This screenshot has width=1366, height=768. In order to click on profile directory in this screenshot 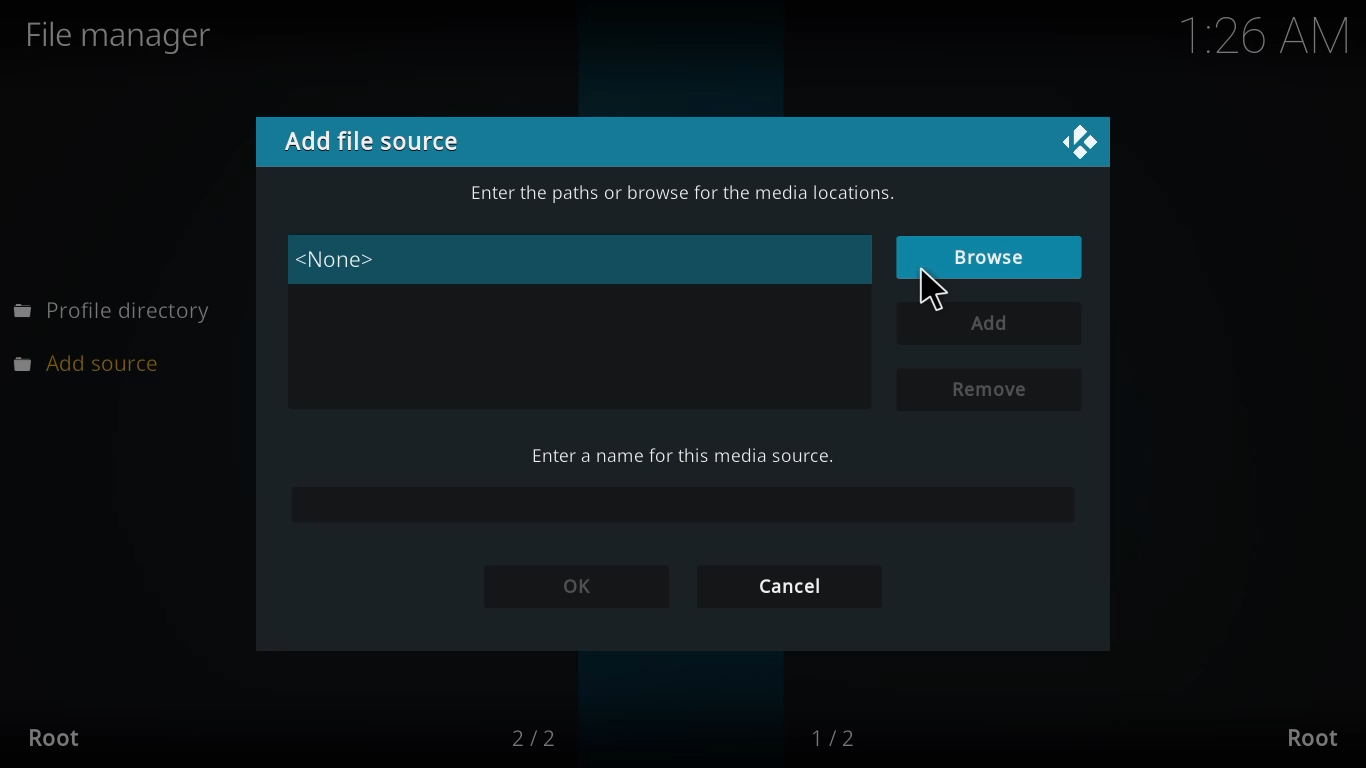, I will do `click(113, 312)`.